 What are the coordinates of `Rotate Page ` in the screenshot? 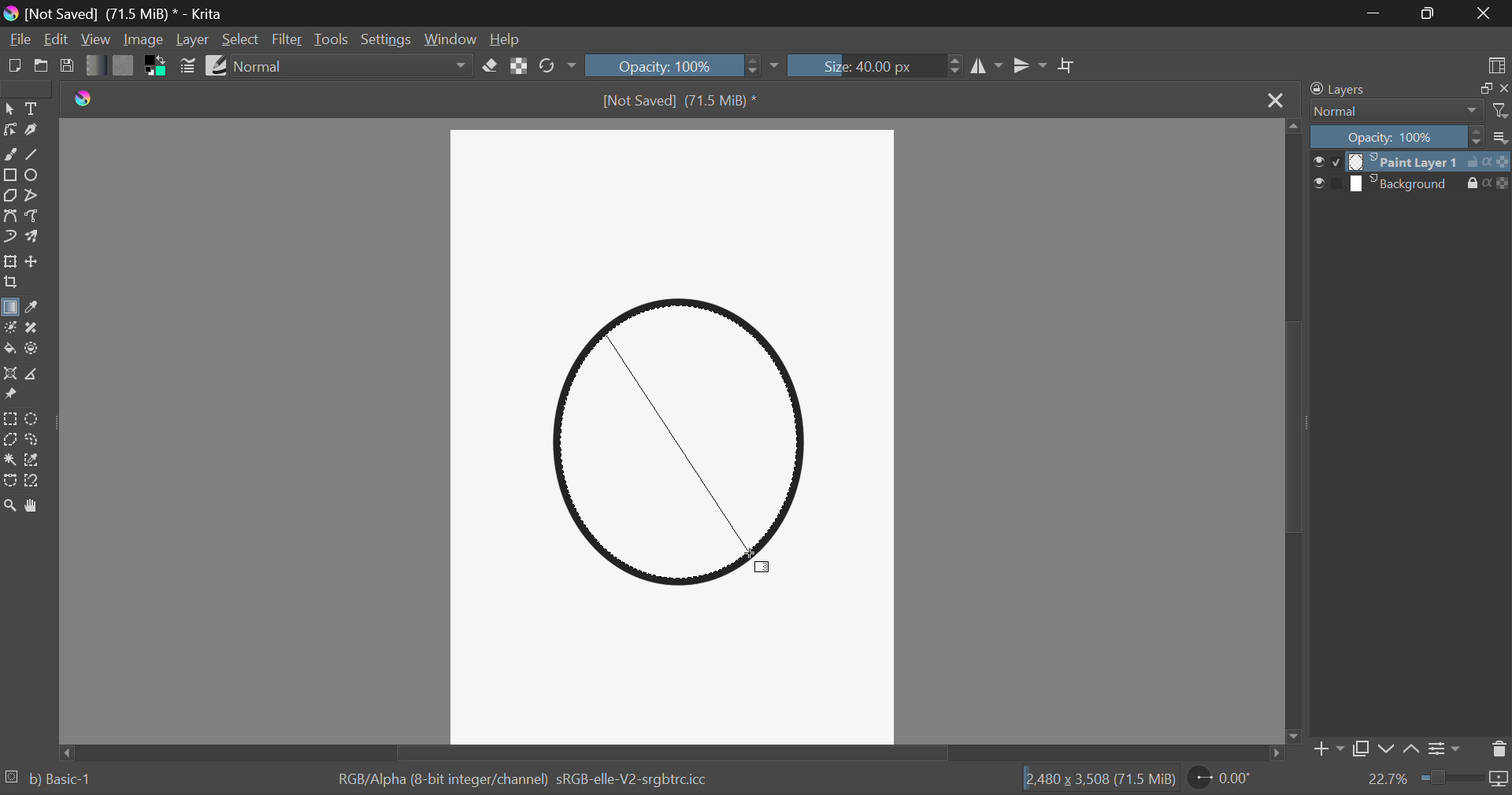 It's located at (1220, 778).